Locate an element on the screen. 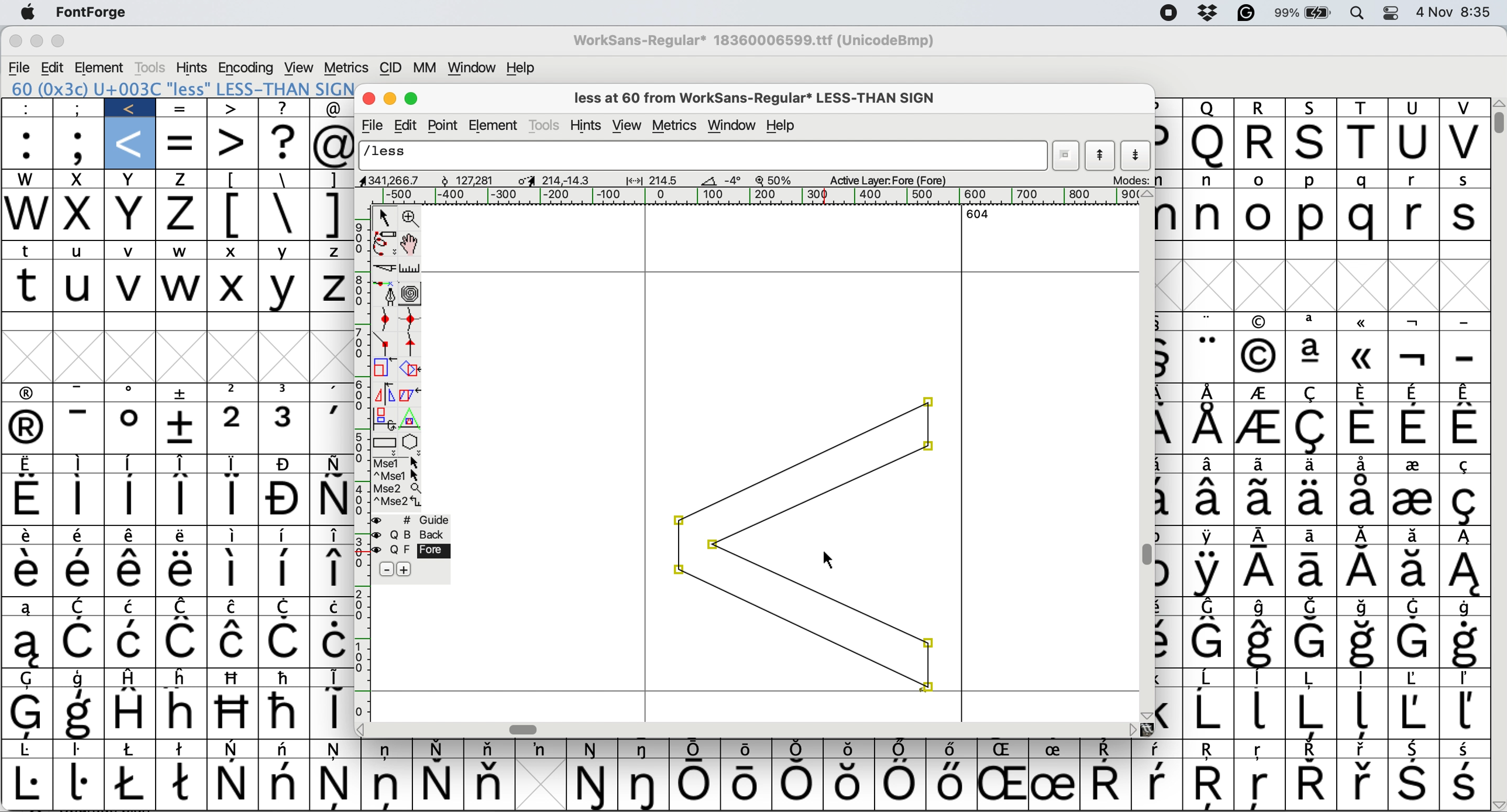  : is located at coordinates (30, 108).